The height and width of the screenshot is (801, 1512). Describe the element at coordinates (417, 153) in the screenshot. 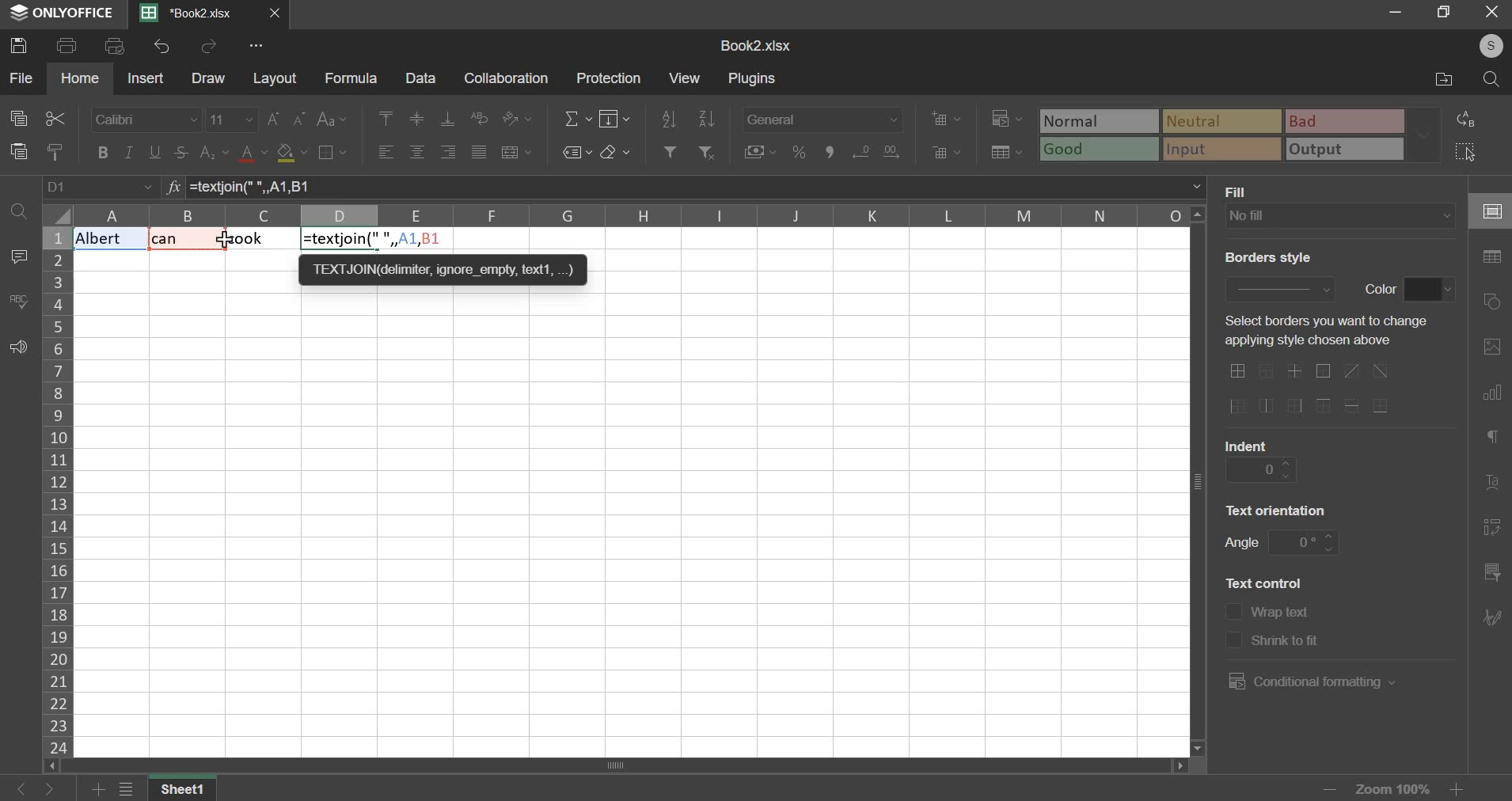

I see `align center` at that location.